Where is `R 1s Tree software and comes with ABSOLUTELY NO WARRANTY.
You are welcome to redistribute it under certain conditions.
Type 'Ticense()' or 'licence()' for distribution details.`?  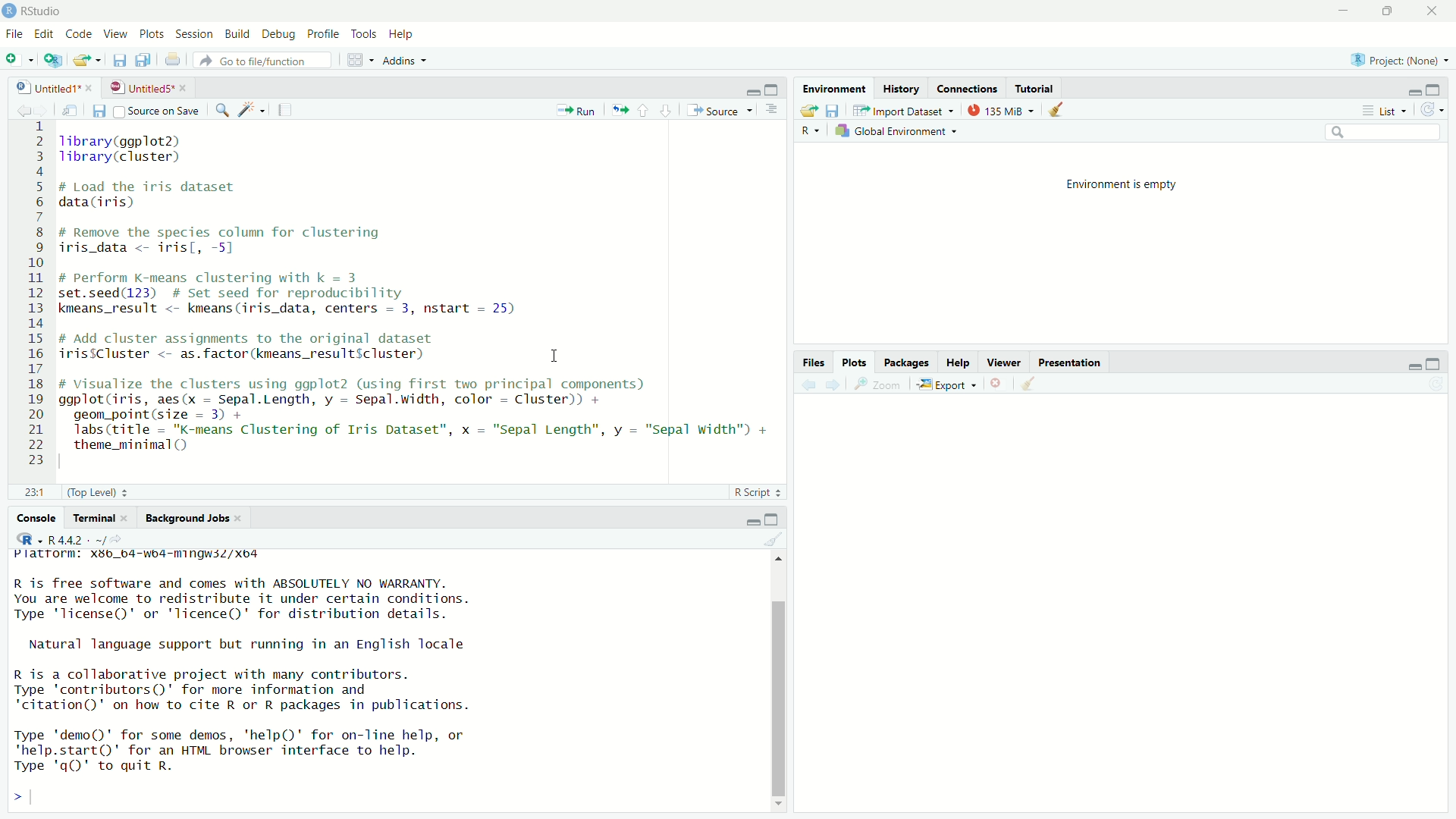
R 1s Tree software and comes with ABSOLUTELY NO WARRANTY.
You are welcome to redistribute it under certain conditions.
Type 'Ticense()' or 'licence()' for distribution details. is located at coordinates (328, 598).